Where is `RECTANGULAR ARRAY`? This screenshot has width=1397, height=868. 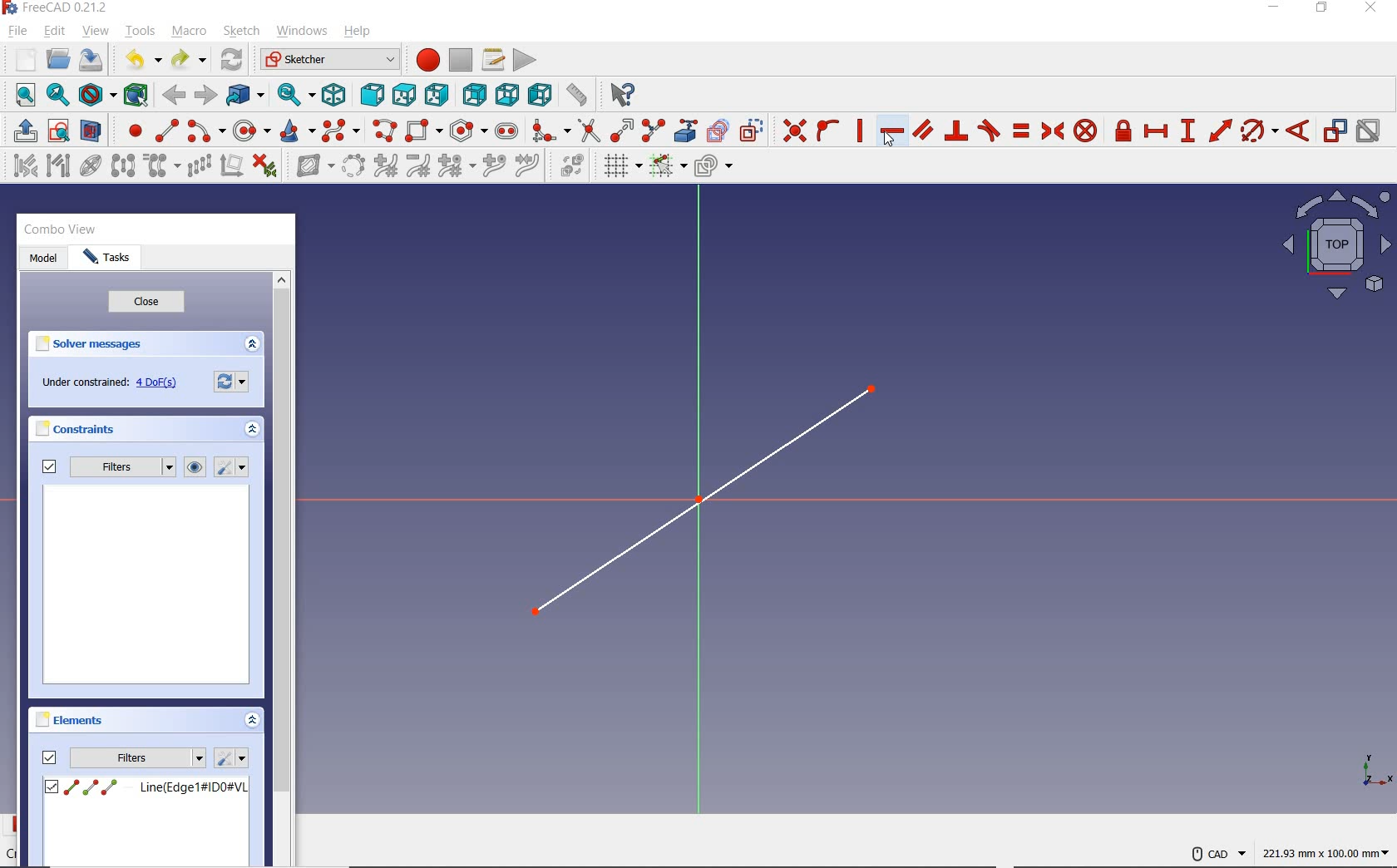 RECTANGULAR ARRAY is located at coordinates (199, 165).